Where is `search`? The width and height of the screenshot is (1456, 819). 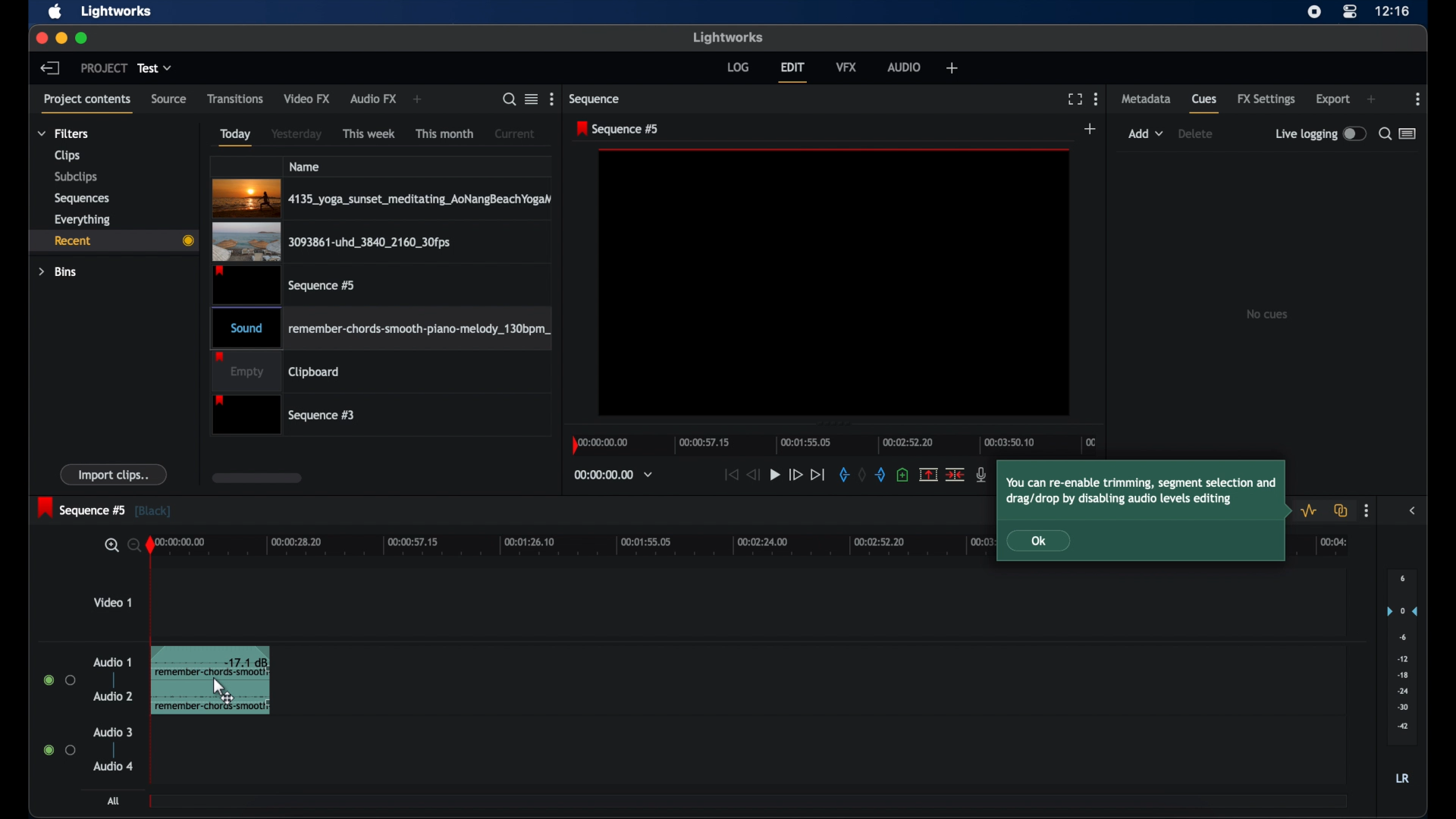 search is located at coordinates (1384, 133).